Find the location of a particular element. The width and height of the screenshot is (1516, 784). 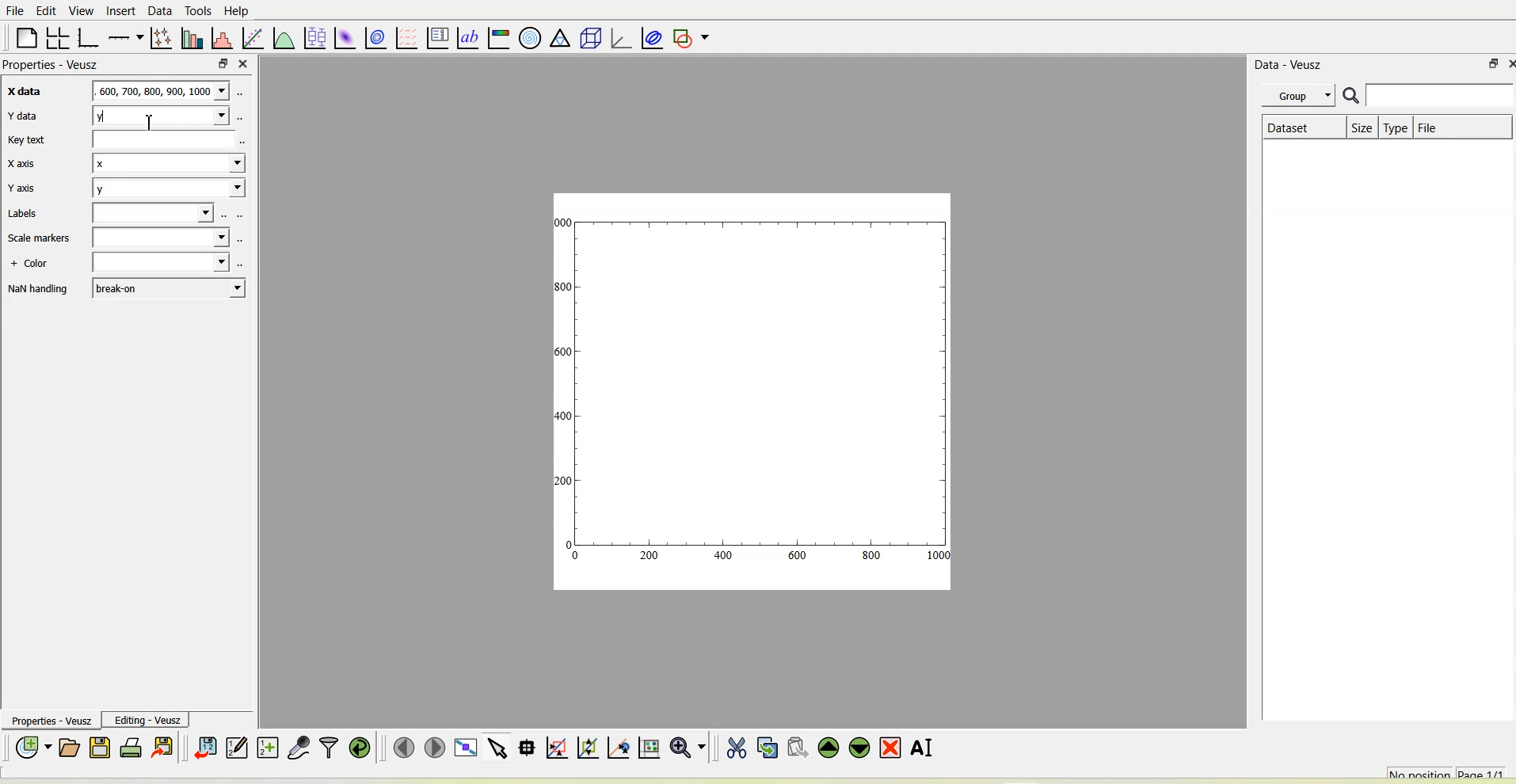

Export to graphics formats is located at coordinates (162, 748).